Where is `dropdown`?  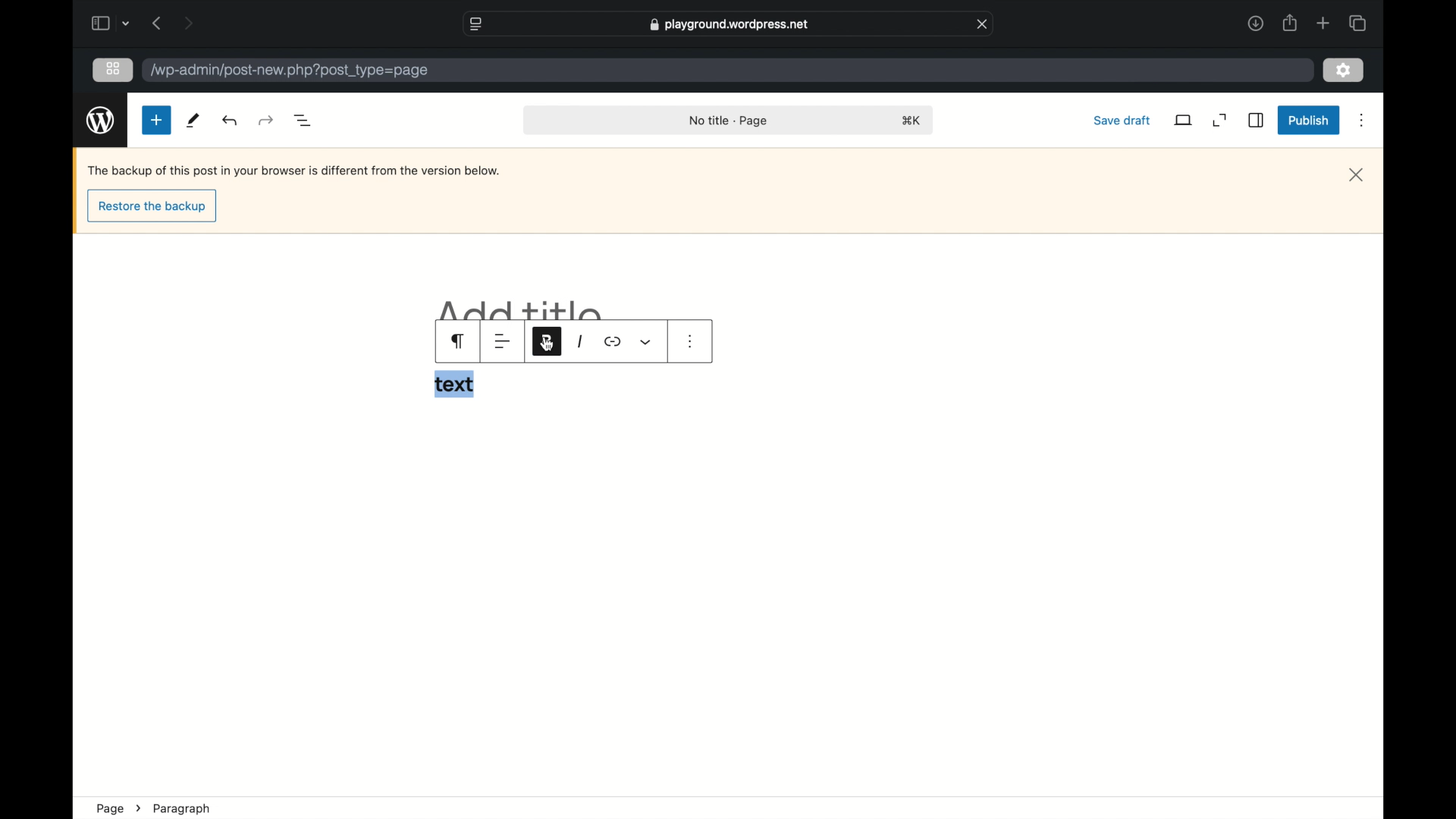 dropdown is located at coordinates (646, 342).